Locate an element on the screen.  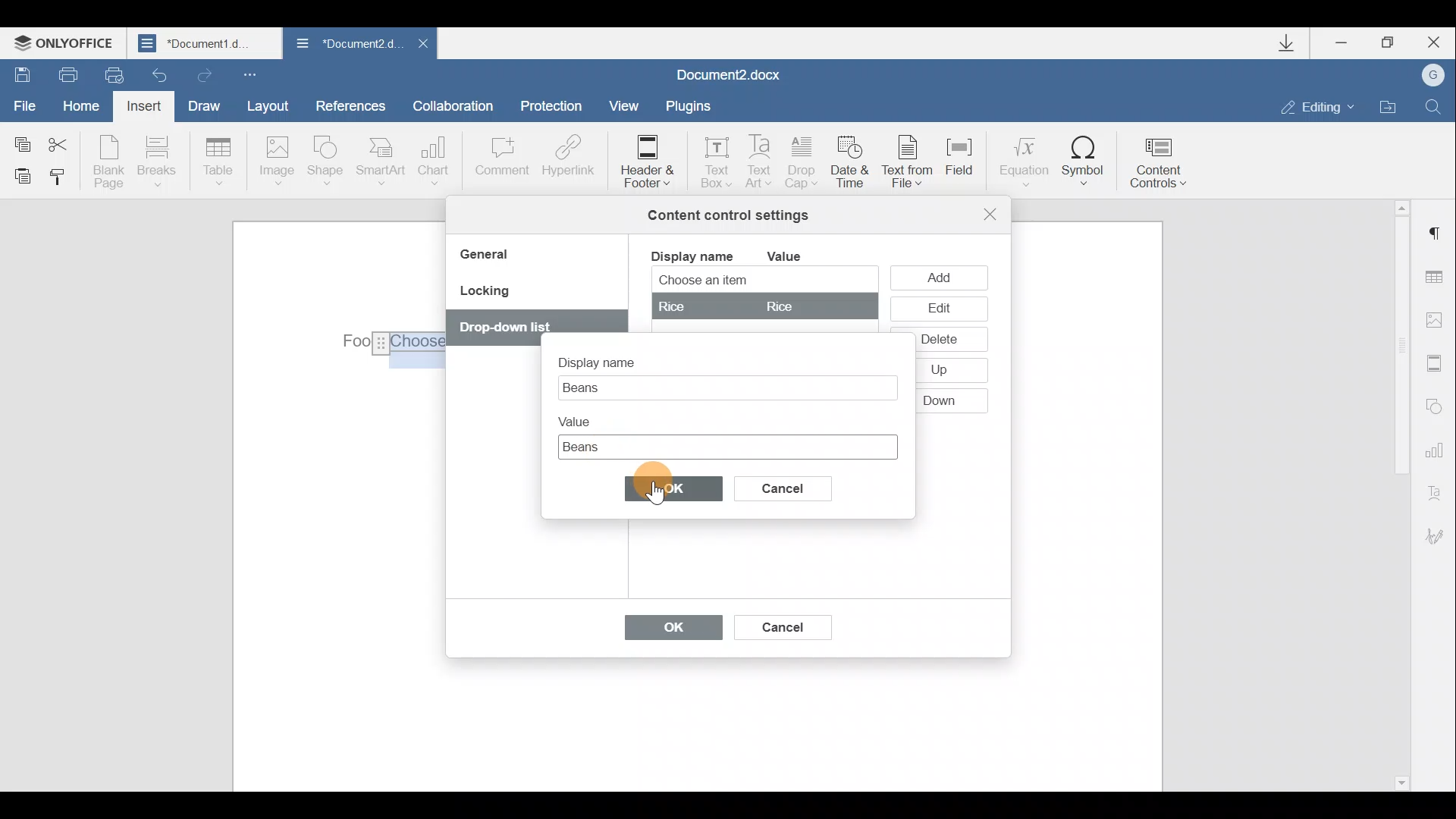
Chart settings is located at coordinates (1437, 448).